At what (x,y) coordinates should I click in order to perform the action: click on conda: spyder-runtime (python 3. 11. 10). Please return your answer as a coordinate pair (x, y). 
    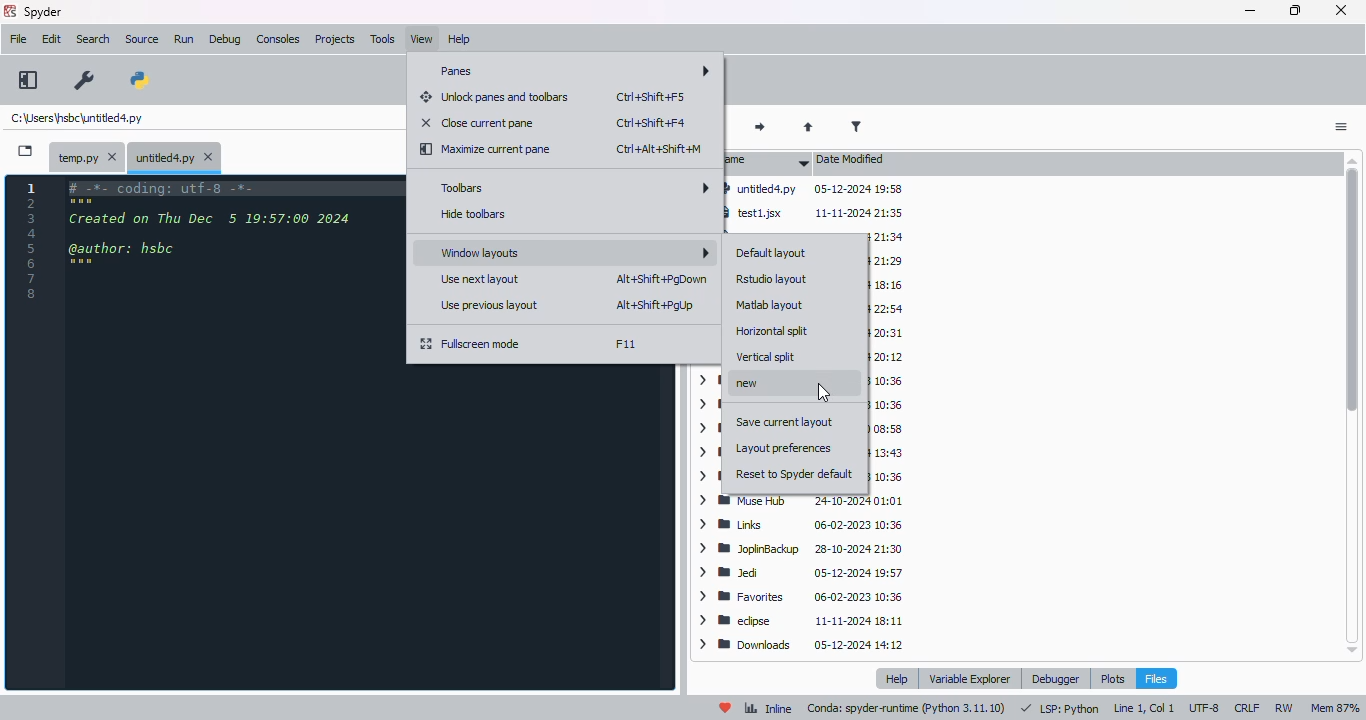
    Looking at the image, I should click on (908, 709).